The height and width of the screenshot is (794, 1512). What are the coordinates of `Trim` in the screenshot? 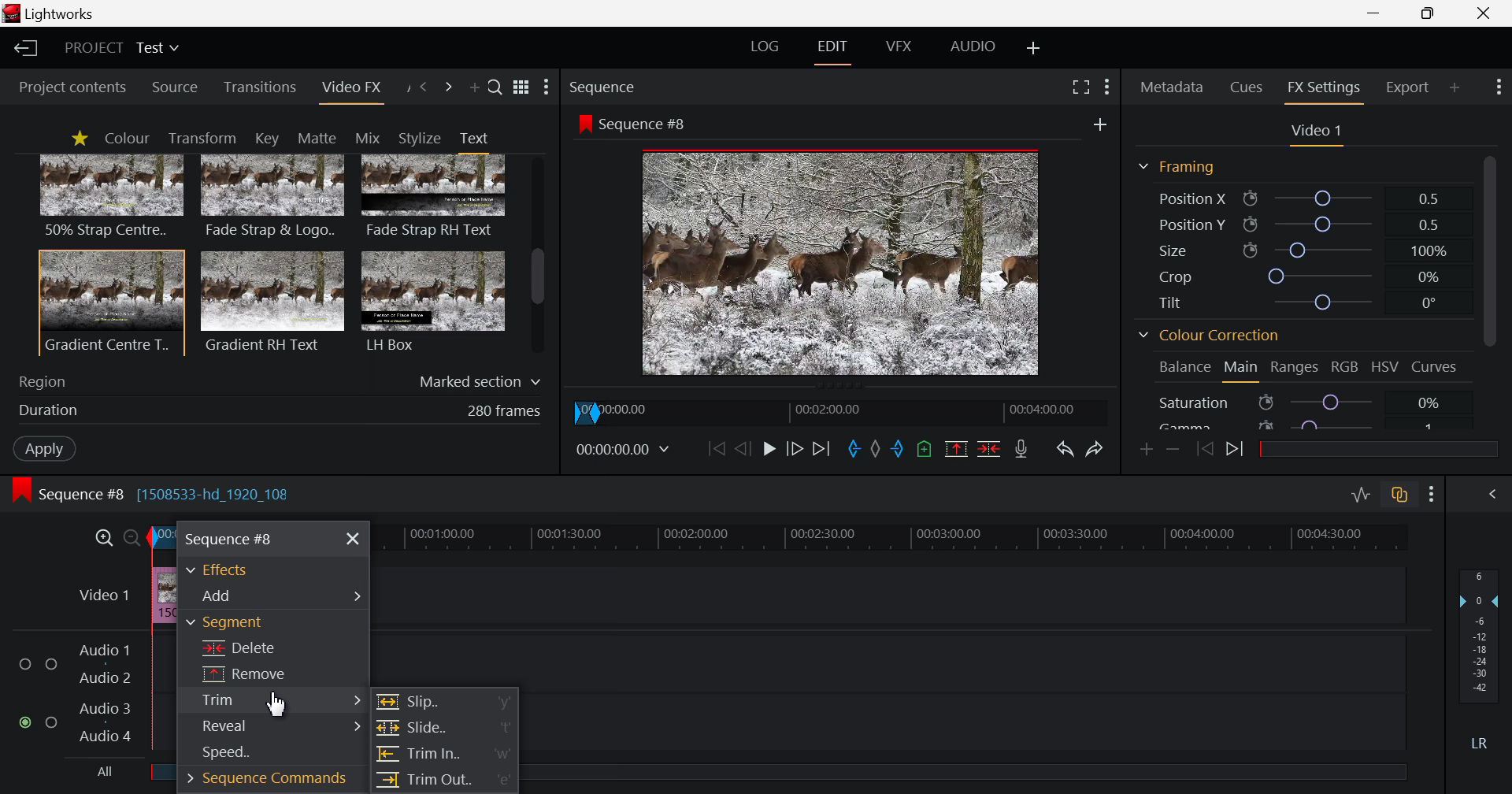 It's located at (273, 699).